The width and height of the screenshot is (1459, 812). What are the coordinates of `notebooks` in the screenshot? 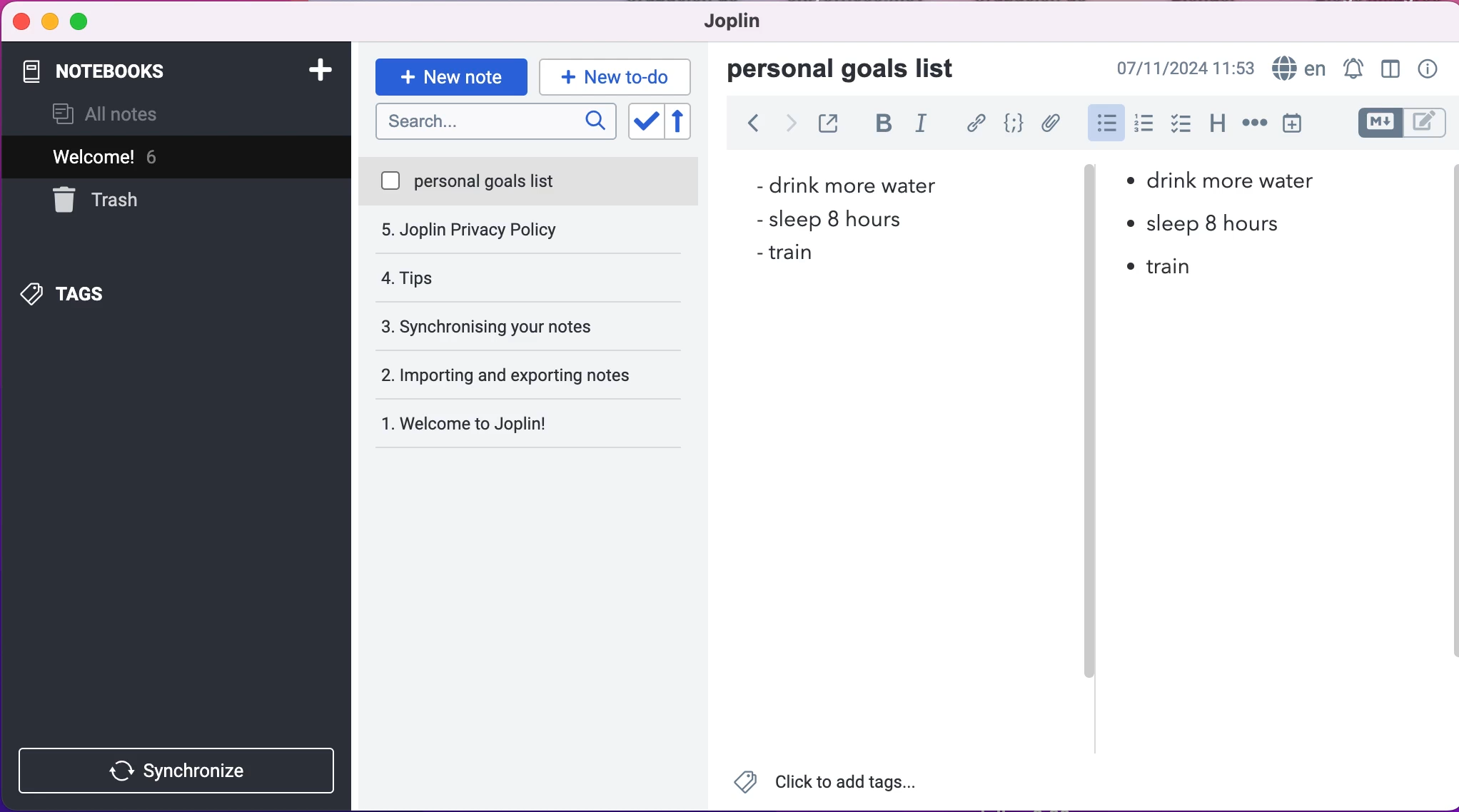 It's located at (141, 71).